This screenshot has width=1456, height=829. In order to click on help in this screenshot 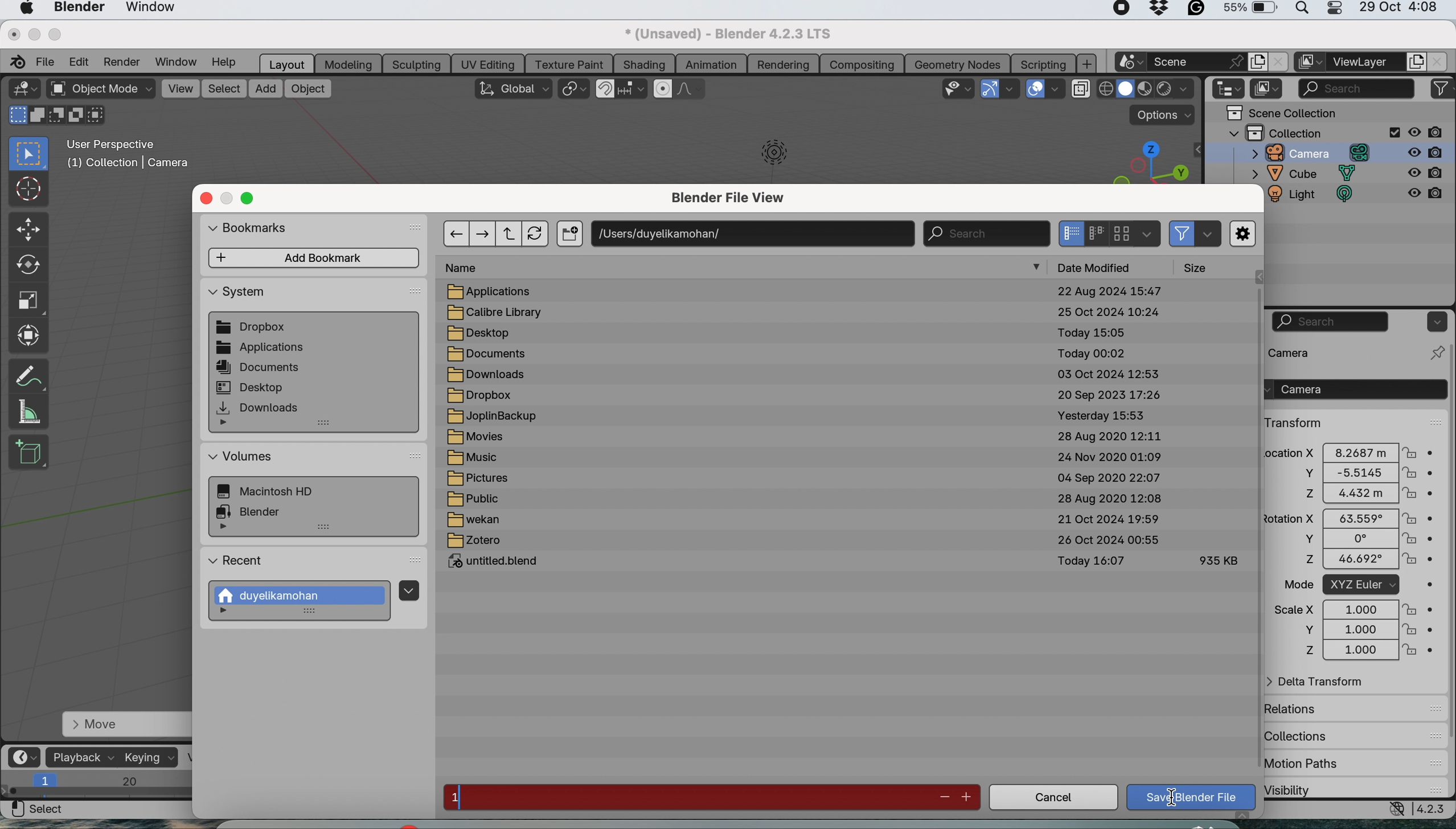, I will do `click(229, 62)`.